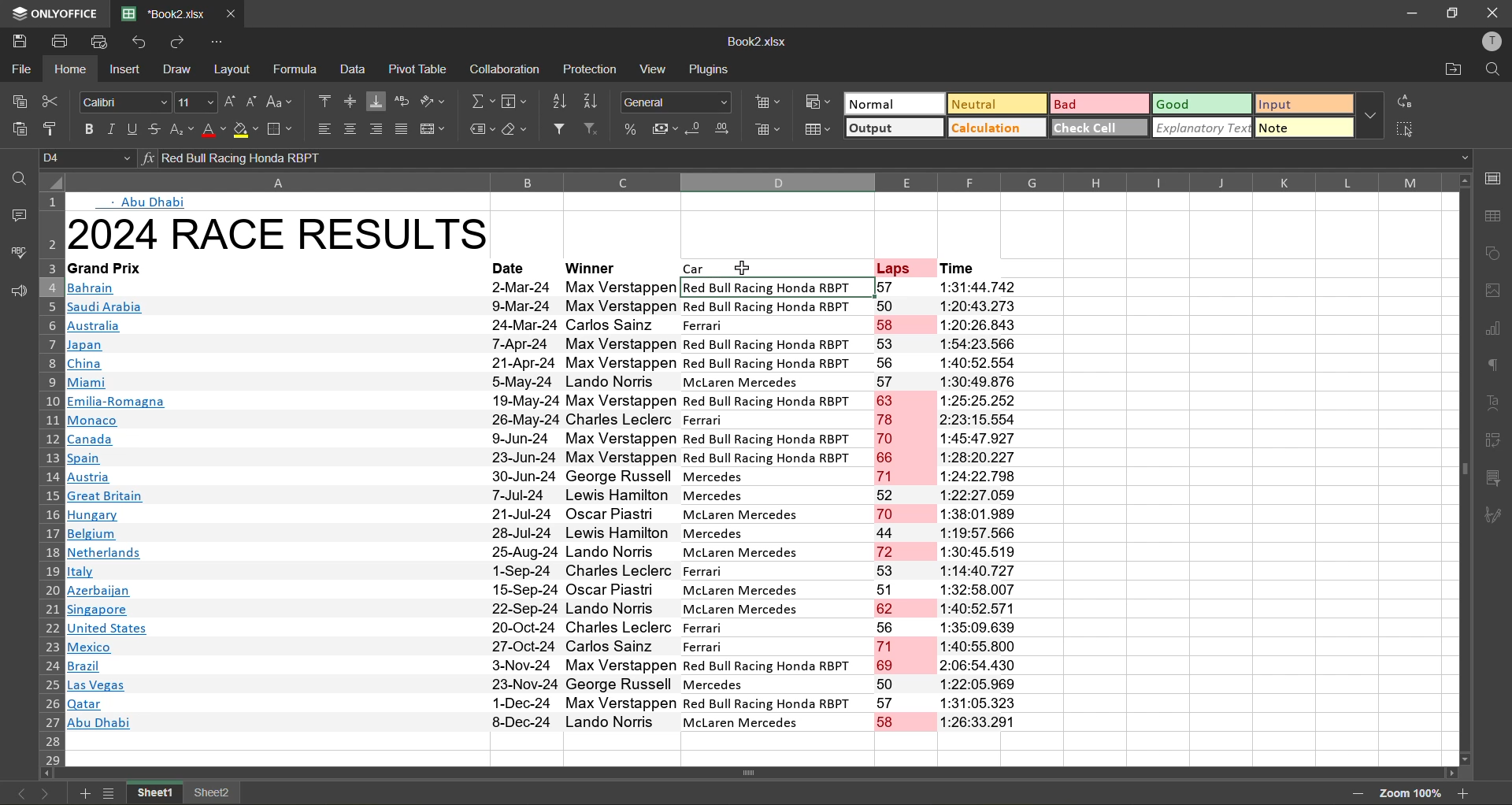 The image size is (1512, 805). I want to click on good, so click(1204, 103).